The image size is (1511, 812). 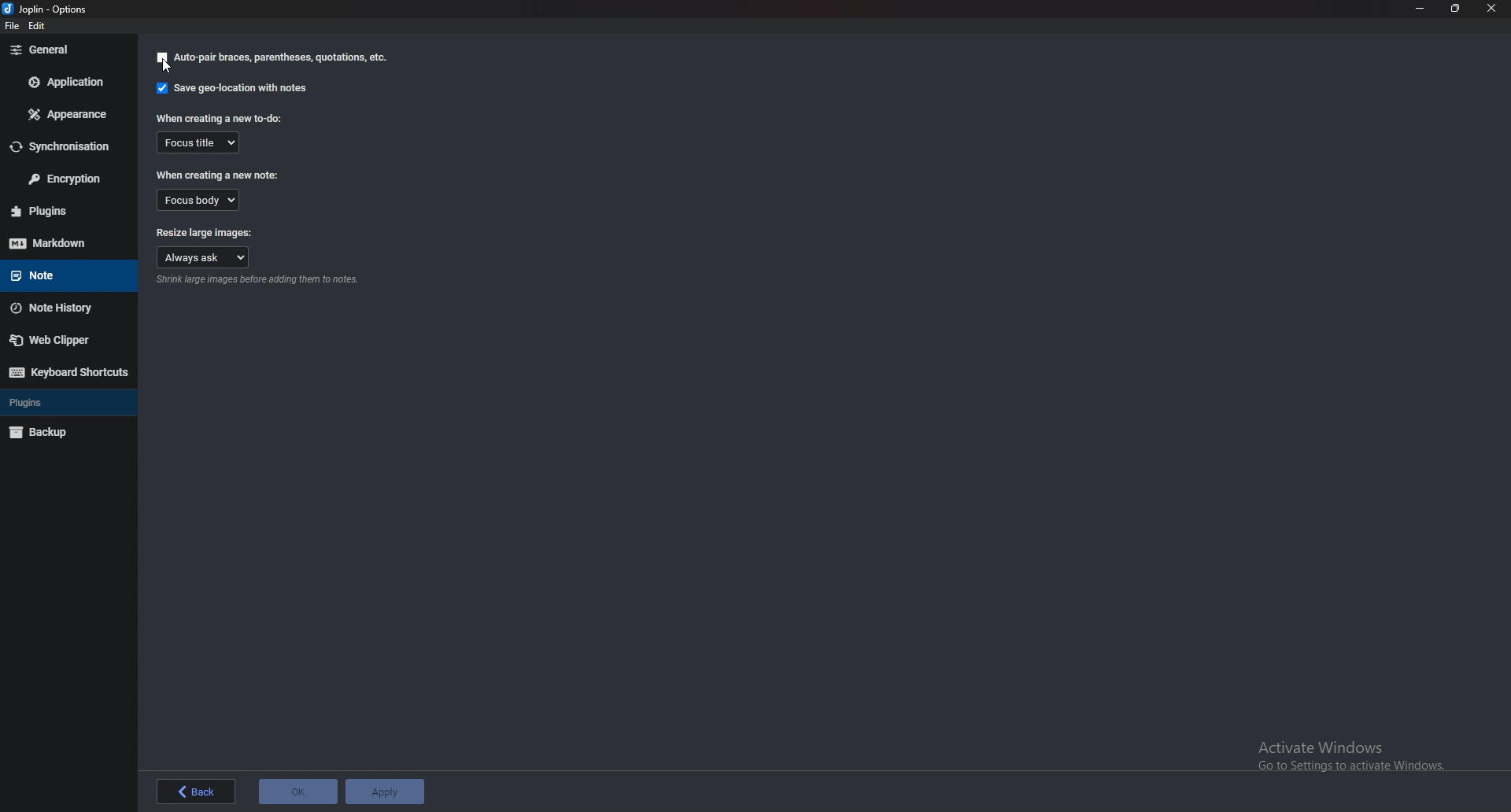 I want to click on Appearance, so click(x=65, y=116).